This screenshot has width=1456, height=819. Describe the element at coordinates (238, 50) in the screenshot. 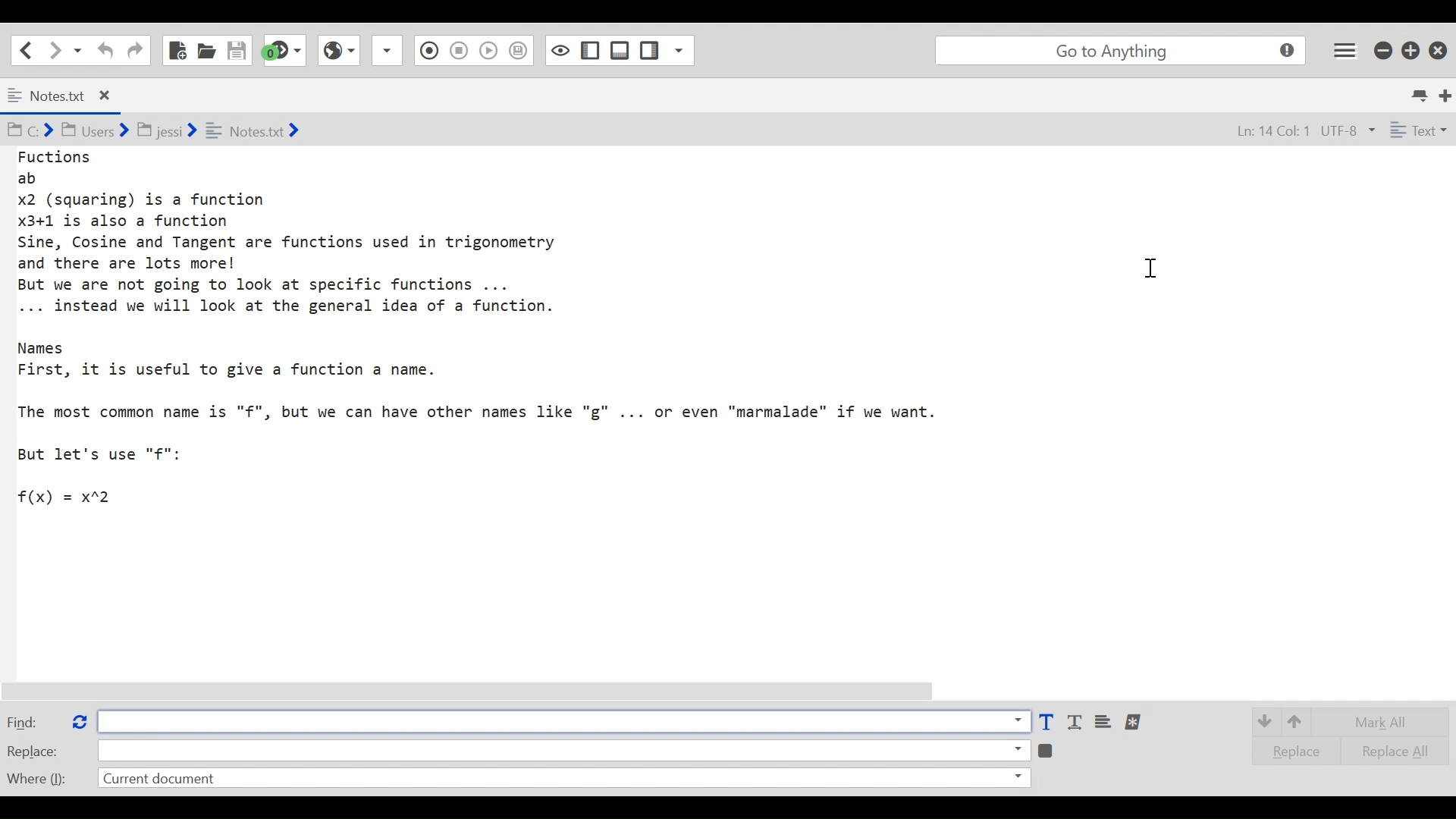

I see `Save File` at that location.